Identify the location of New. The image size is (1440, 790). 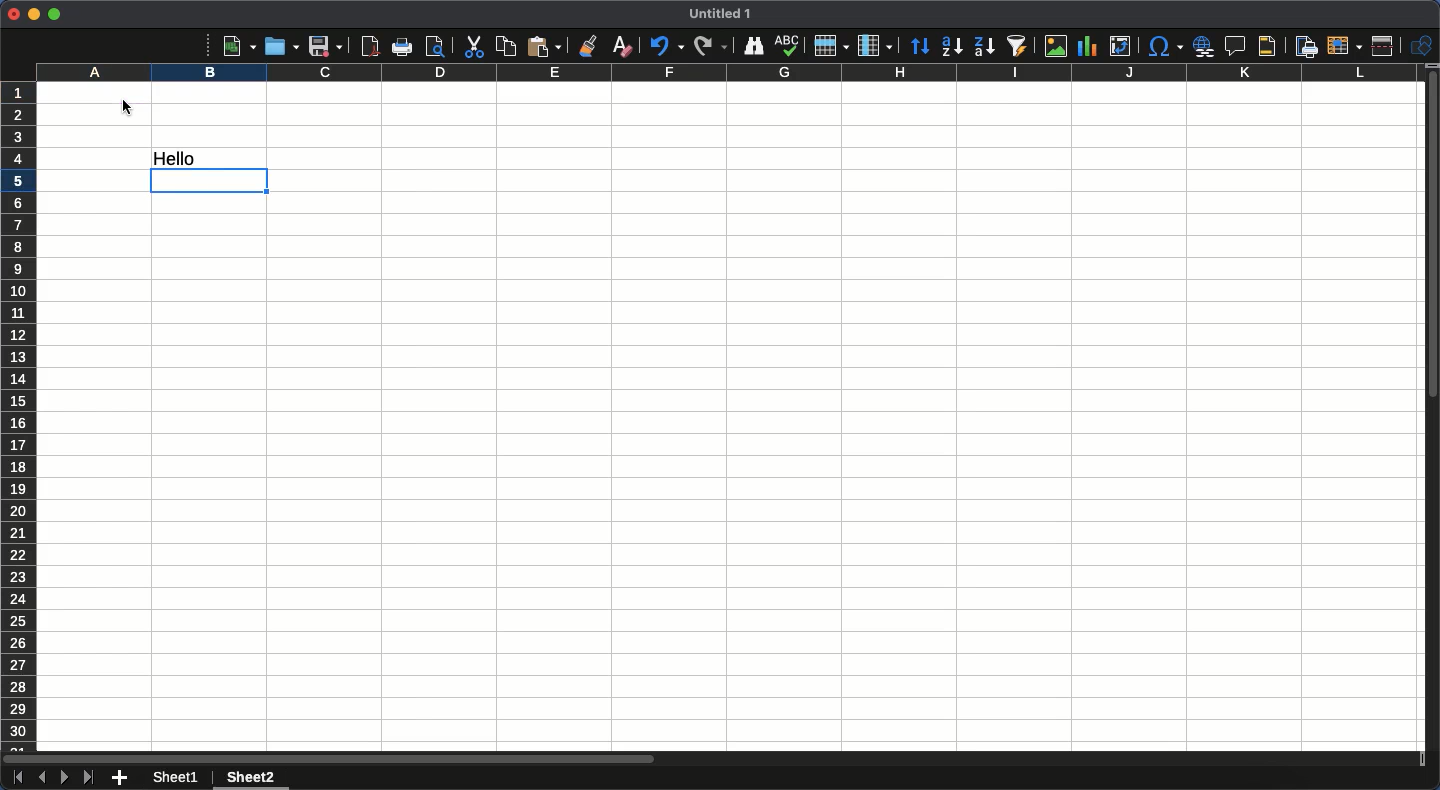
(239, 45).